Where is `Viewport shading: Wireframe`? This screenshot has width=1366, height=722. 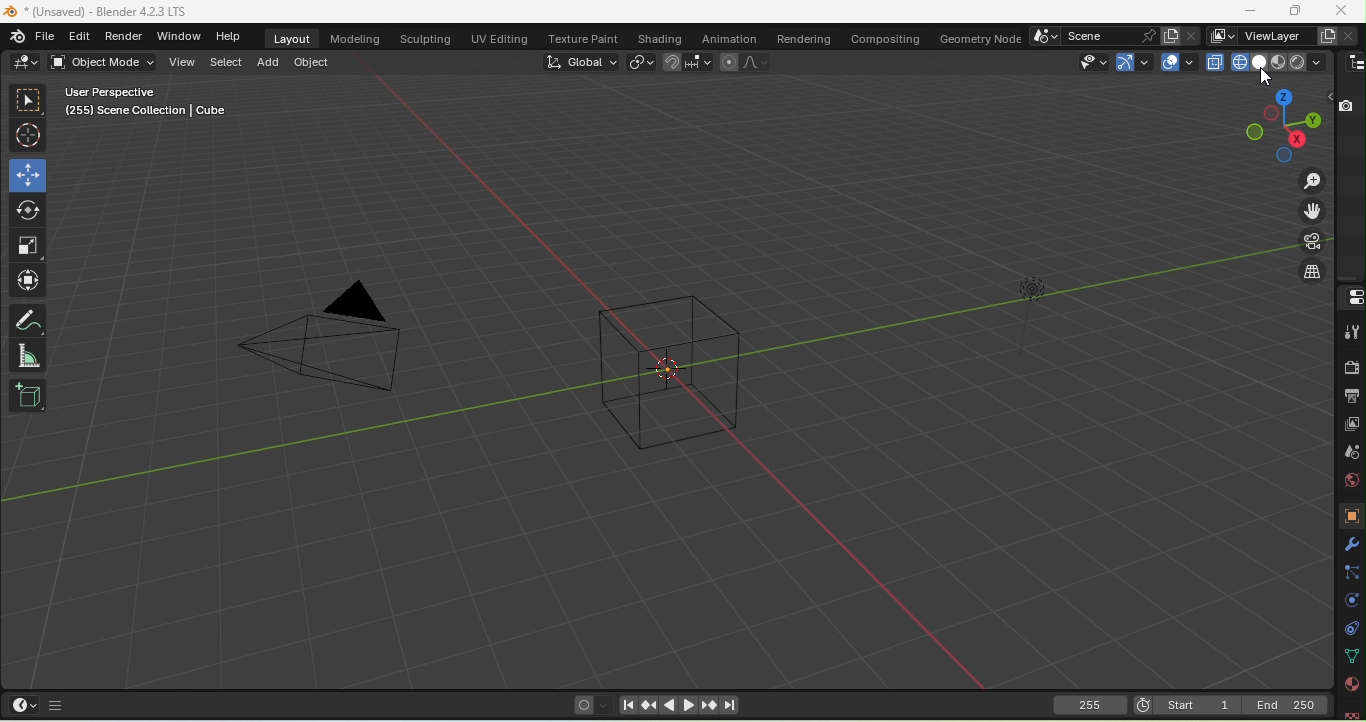 Viewport shading: Wireframe is located at coordinates (1237, 62).